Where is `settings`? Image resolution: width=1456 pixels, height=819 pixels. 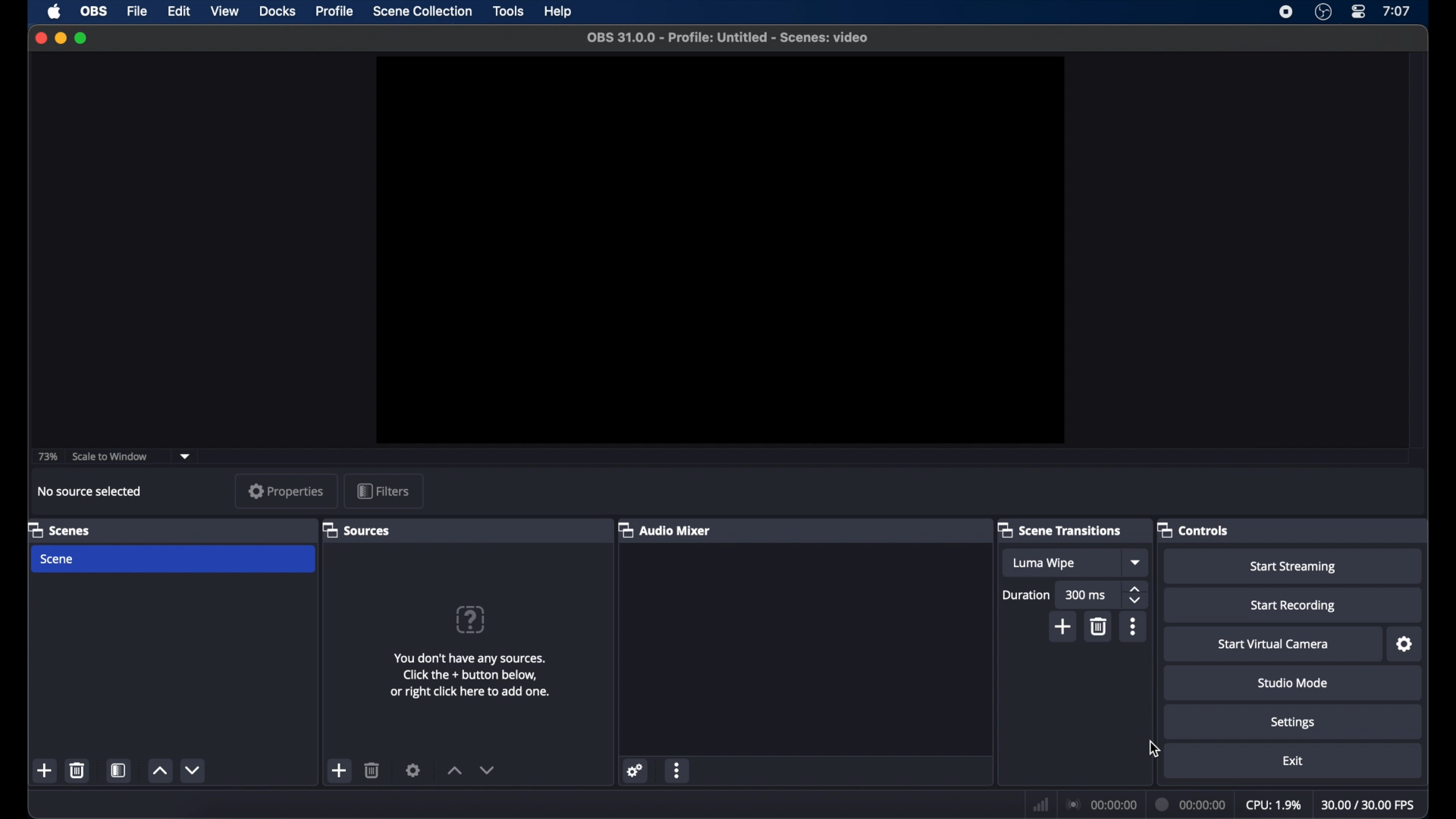 settings is located at coordinates (1405, 645).